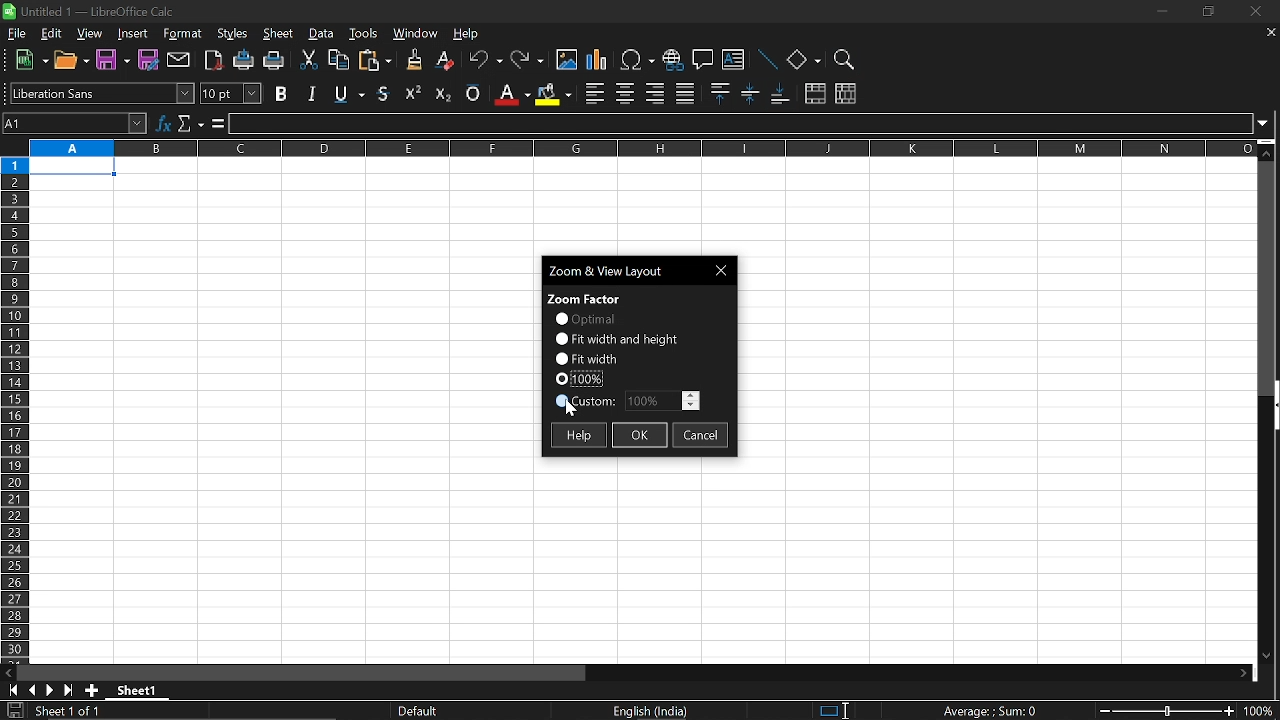 Image resolution: width=1280 pixels, height=720 pixels. What do you see at coordinates (803, 61) in the screenshot?
I see `shapes` at bounding box center [803, 61].